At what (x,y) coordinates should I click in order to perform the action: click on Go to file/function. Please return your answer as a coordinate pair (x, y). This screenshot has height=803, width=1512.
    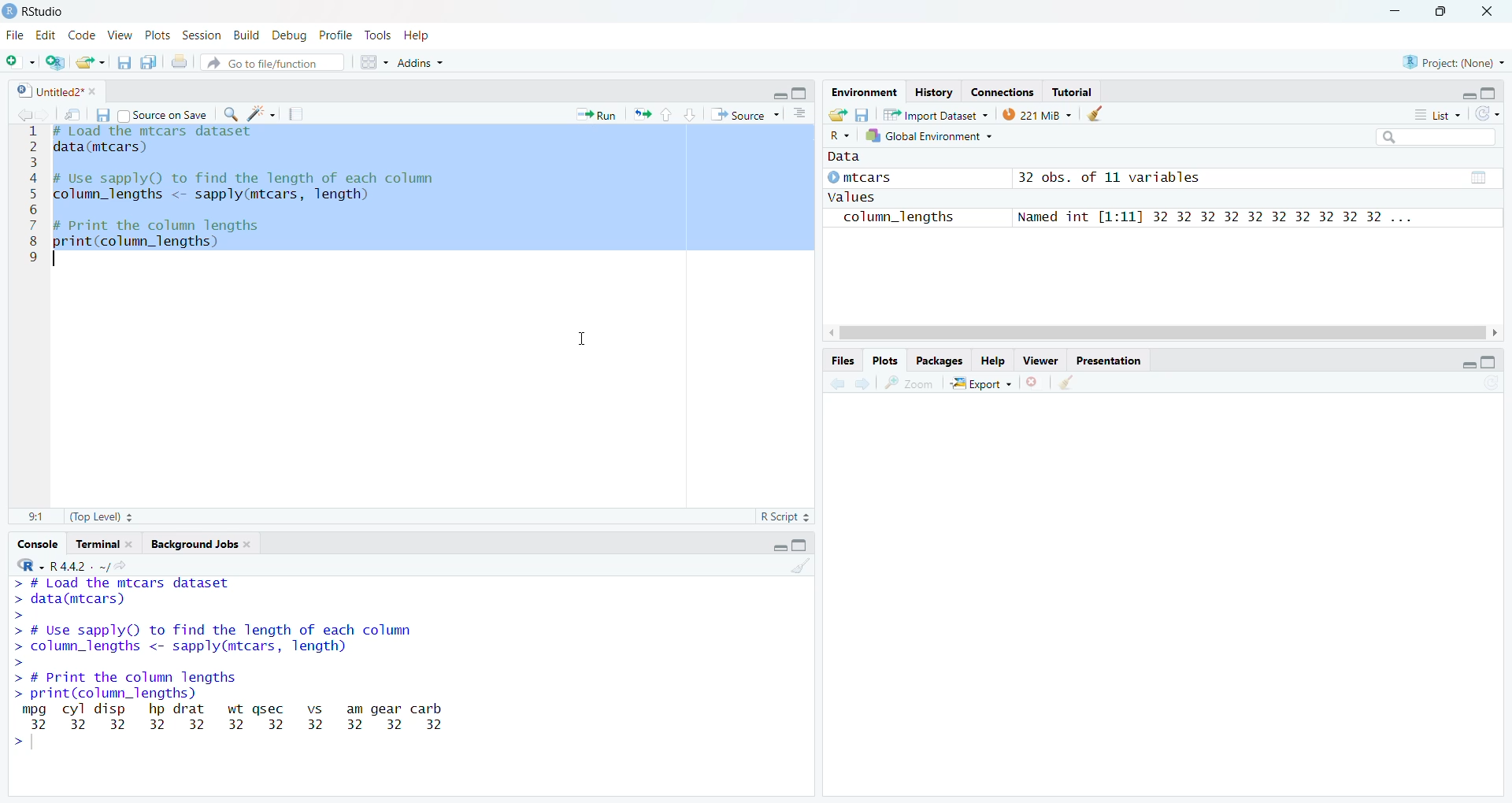
    Looking at the image, I should click on (272, 62).